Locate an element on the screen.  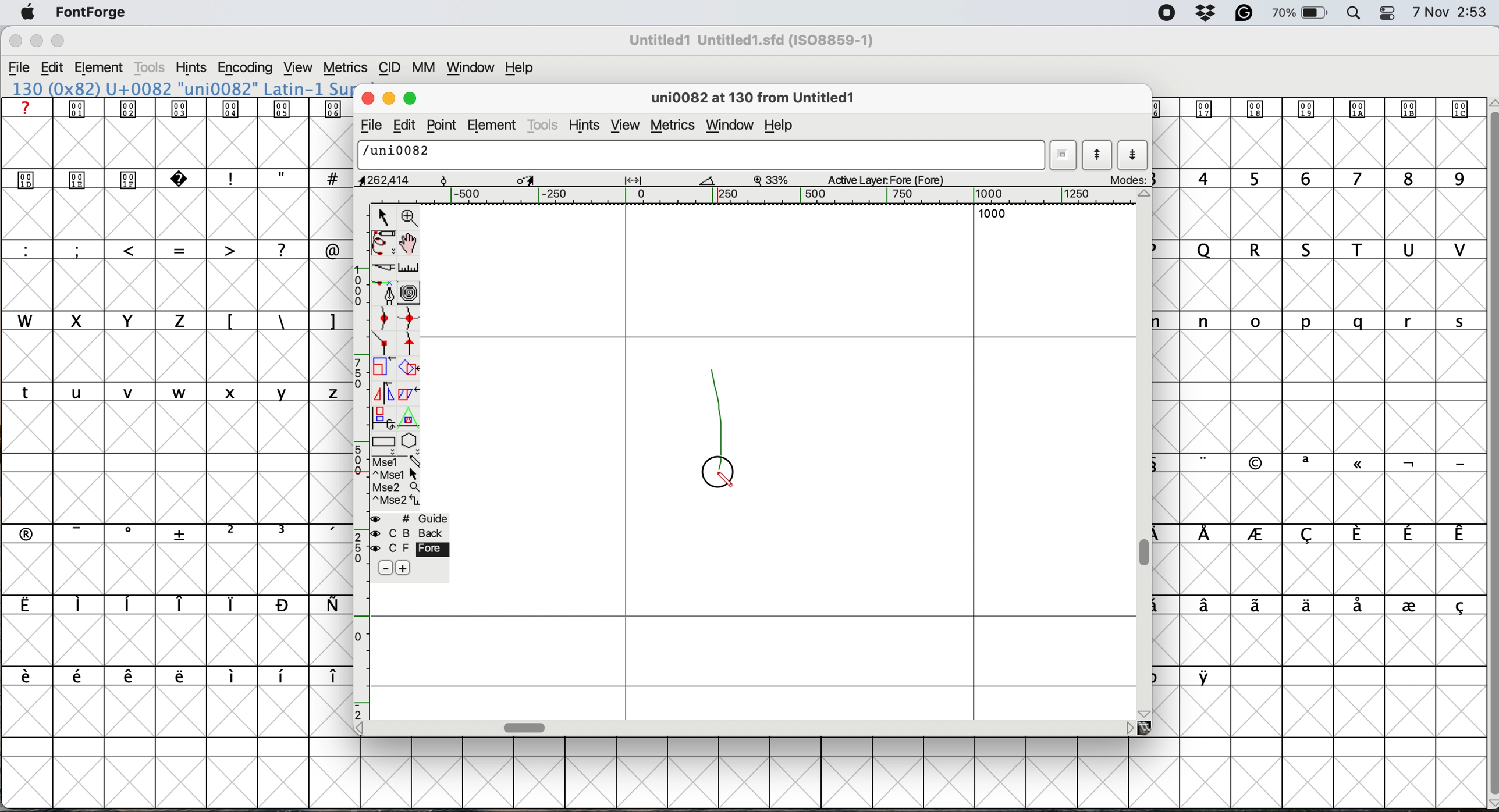
special characters is located at coordinates (1319, 535).